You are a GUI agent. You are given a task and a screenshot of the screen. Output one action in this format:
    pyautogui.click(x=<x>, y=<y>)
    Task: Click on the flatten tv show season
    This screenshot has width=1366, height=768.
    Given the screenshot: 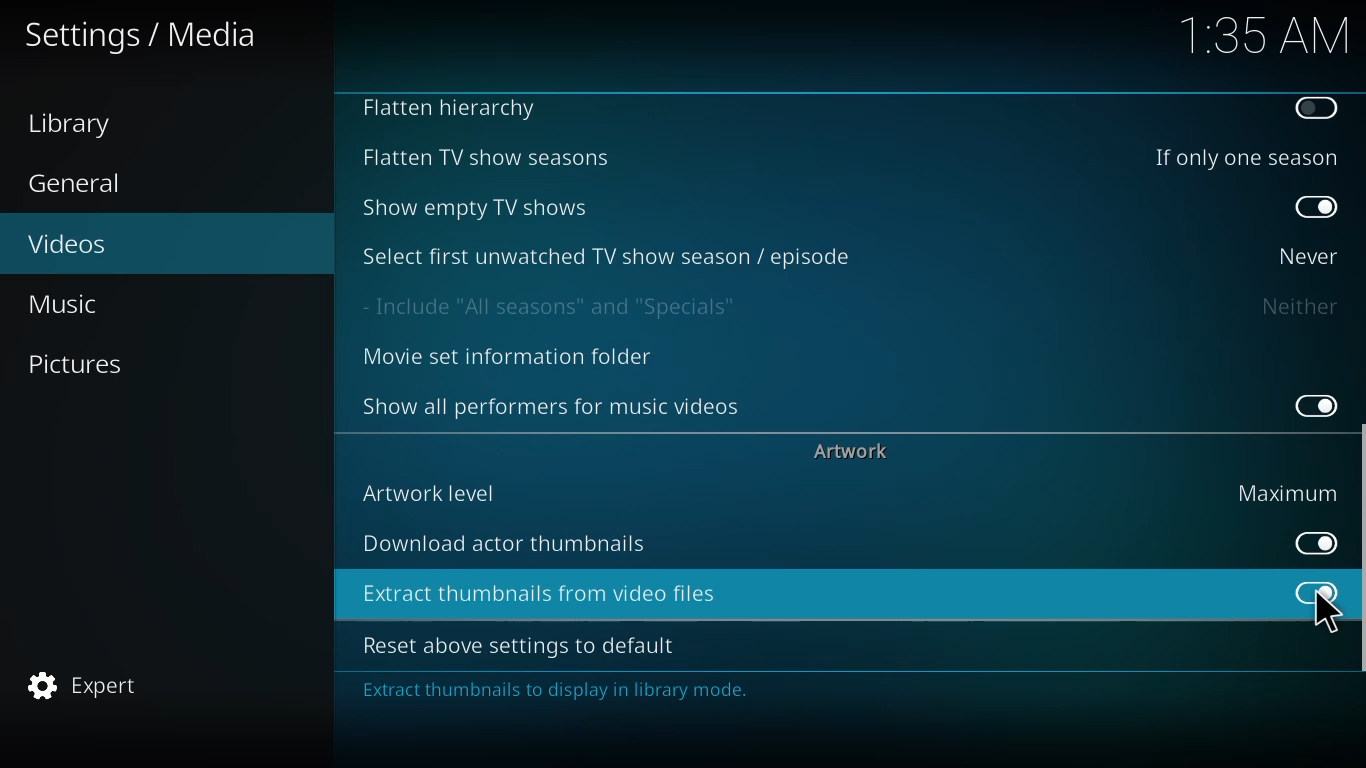 What is the action you would take?
    pyautogui.click(x=483, y=157)
    